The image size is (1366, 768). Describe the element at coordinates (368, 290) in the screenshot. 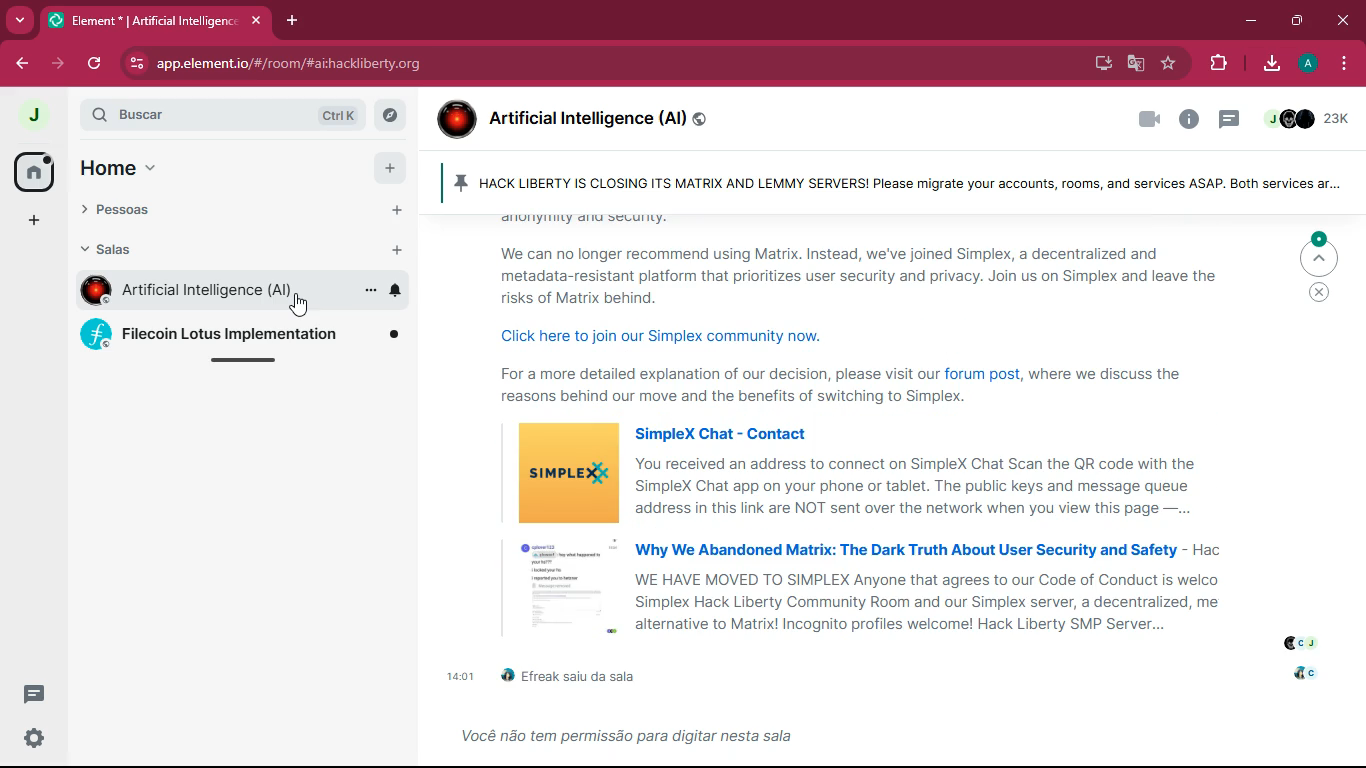

I see `more` at that location.